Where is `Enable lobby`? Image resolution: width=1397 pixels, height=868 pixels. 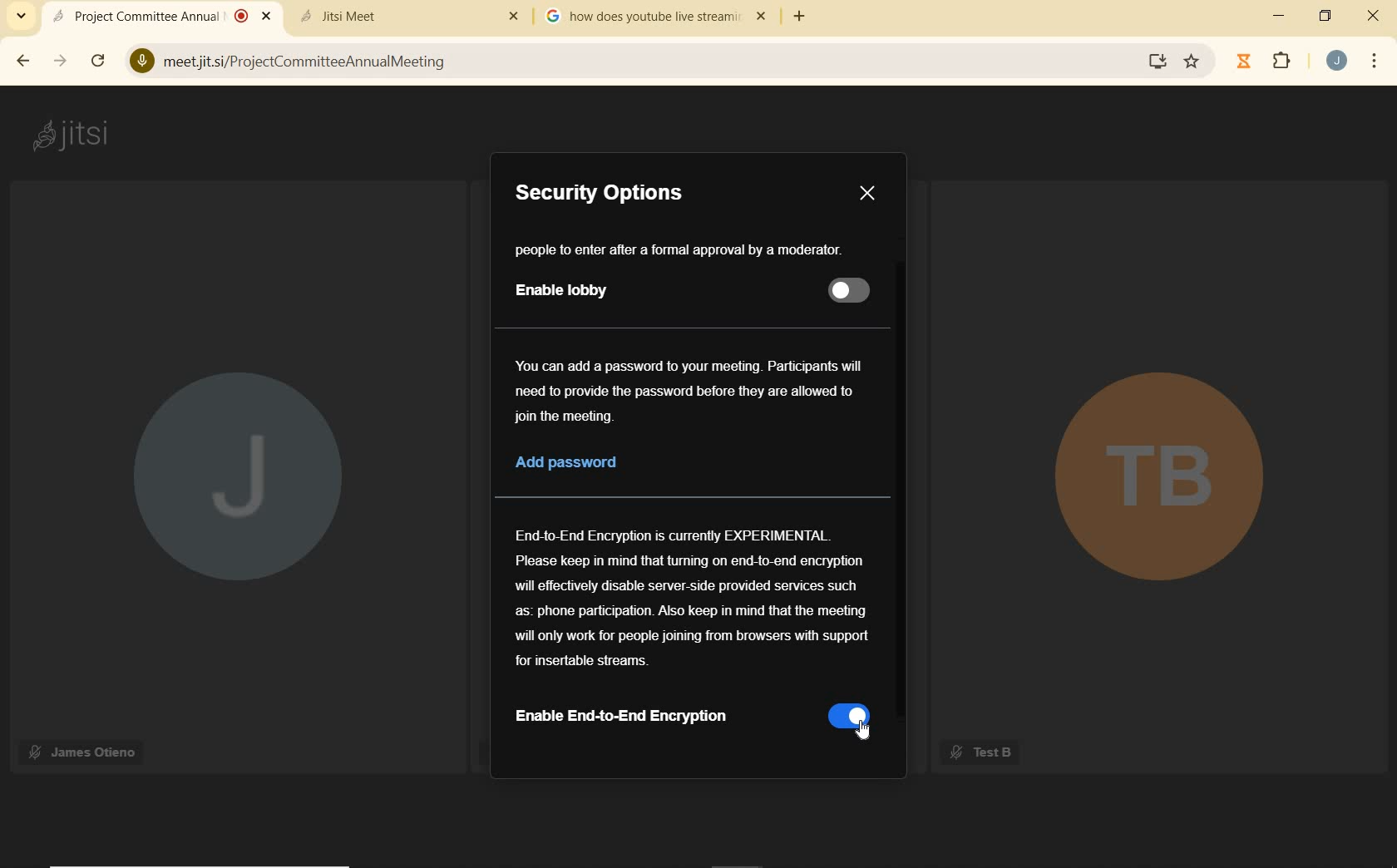
Enable lobby is located at coordinates (564, 289).